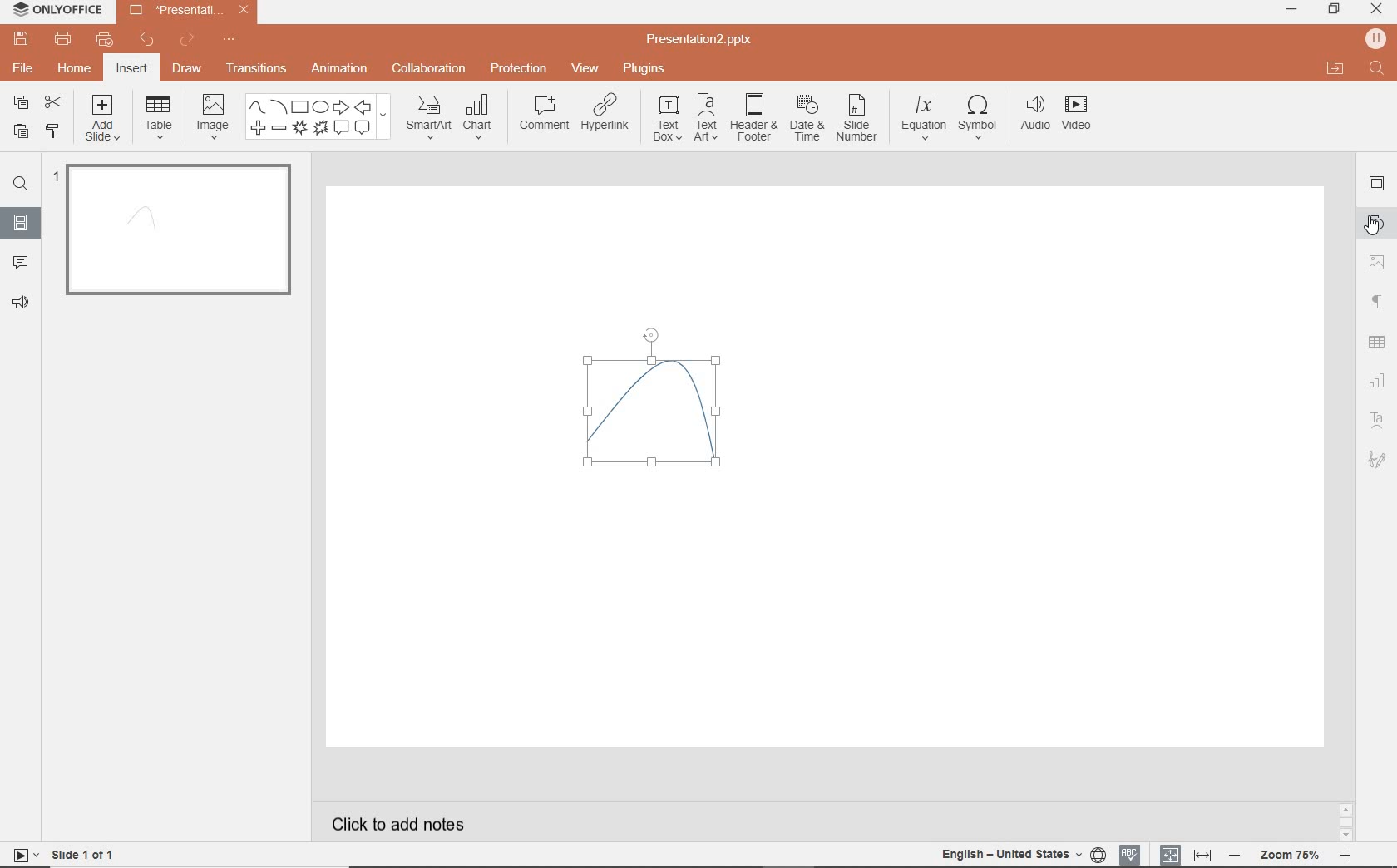 The height and width of the screenshot is (868, 1397). What do you see at coordinates (19, 131) in the screenshot?
I see `PASTE` at bounding box center [19, 131].